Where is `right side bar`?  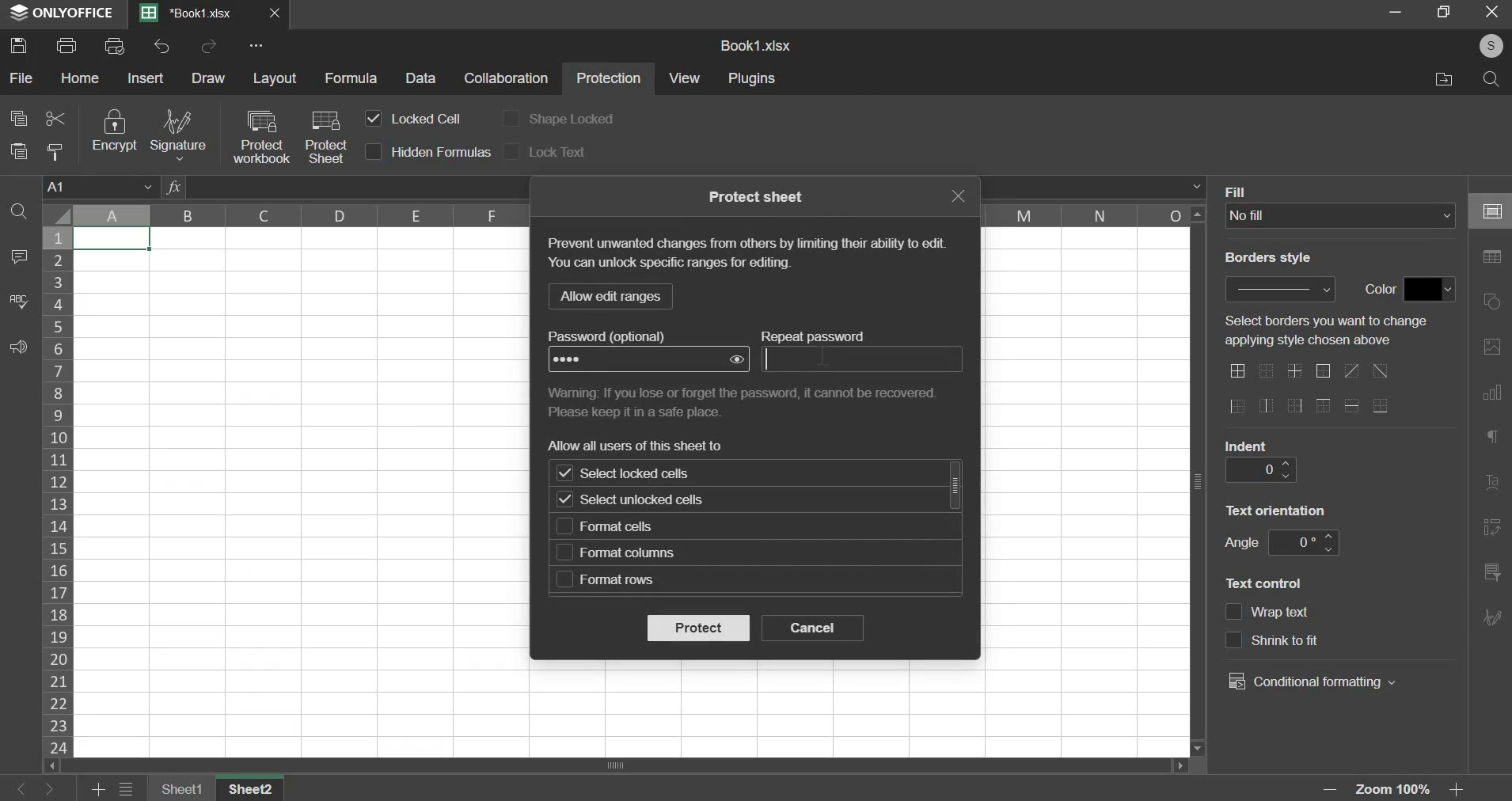 right side bar is located at coordinates (1492, 615).